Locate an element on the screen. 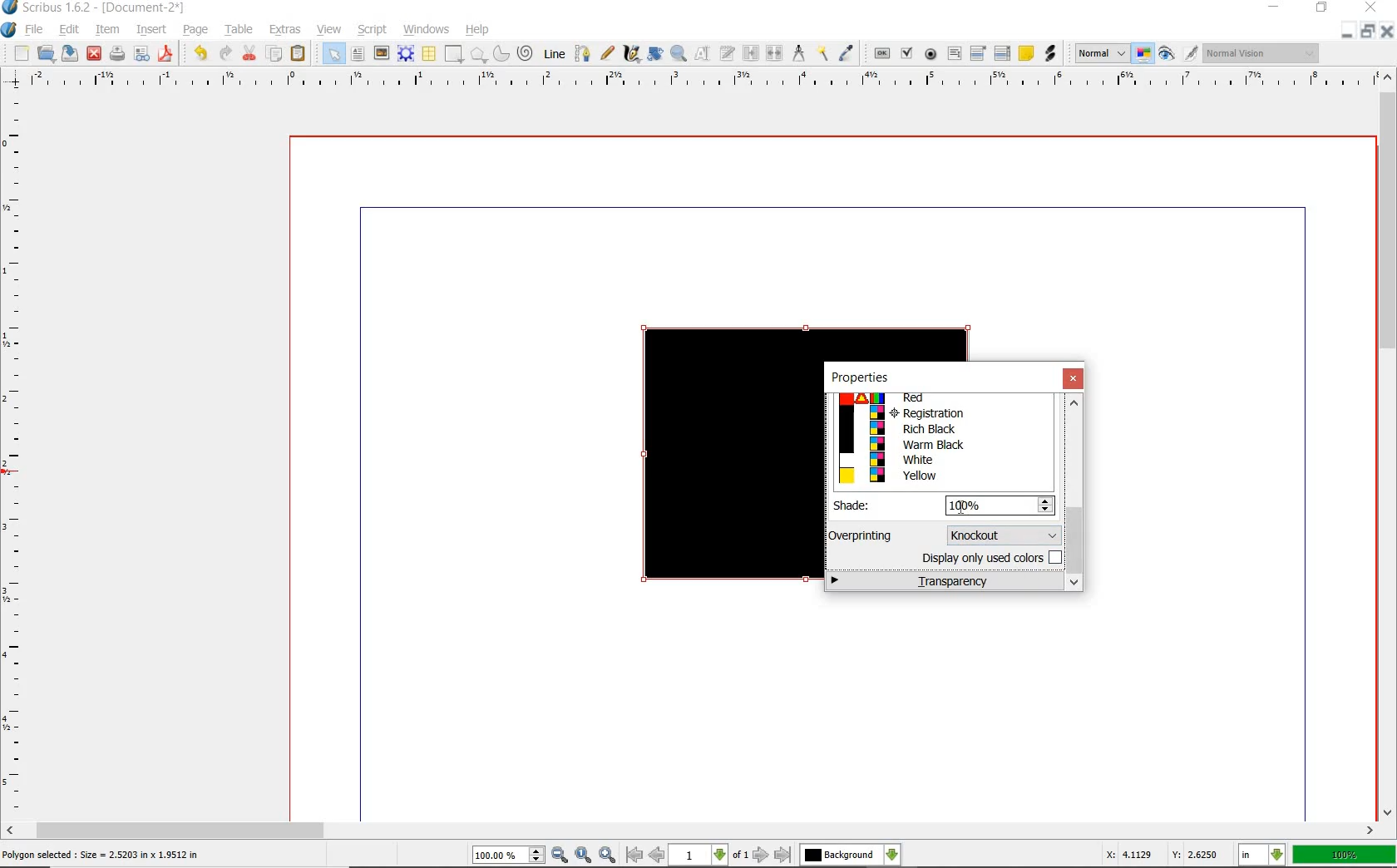 The image size is (1397, 868). pdf list box is located at coordinates (1003, 52).